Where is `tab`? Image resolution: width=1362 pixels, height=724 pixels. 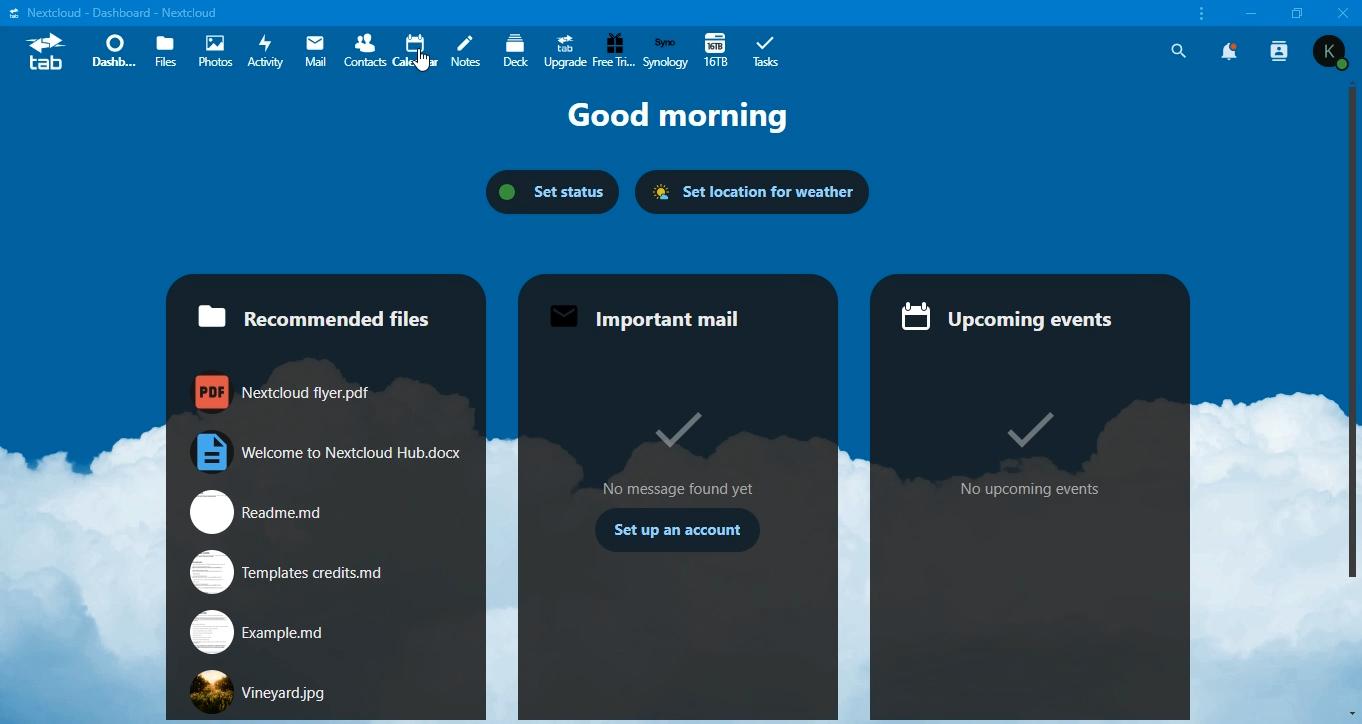 tab is located at coordinates (55, 52).